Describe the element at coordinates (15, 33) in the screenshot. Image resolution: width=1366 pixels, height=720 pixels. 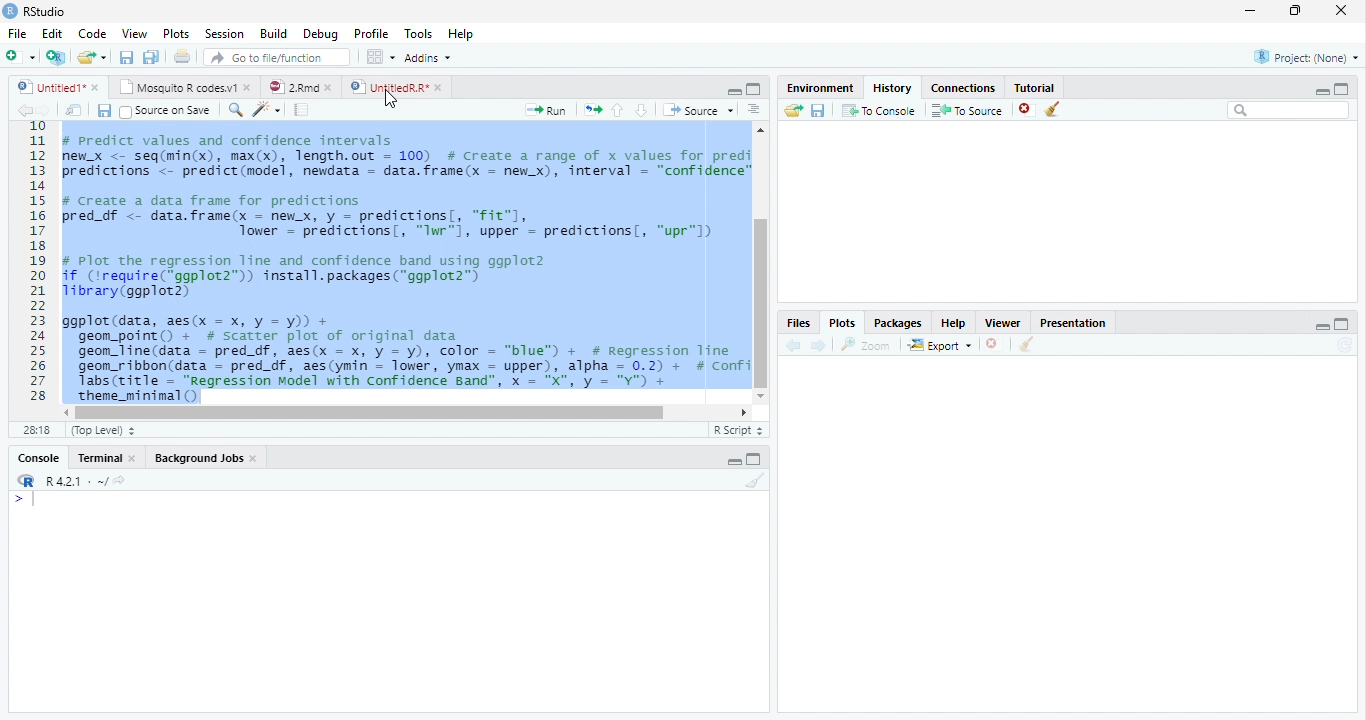
I see `File` at that location.